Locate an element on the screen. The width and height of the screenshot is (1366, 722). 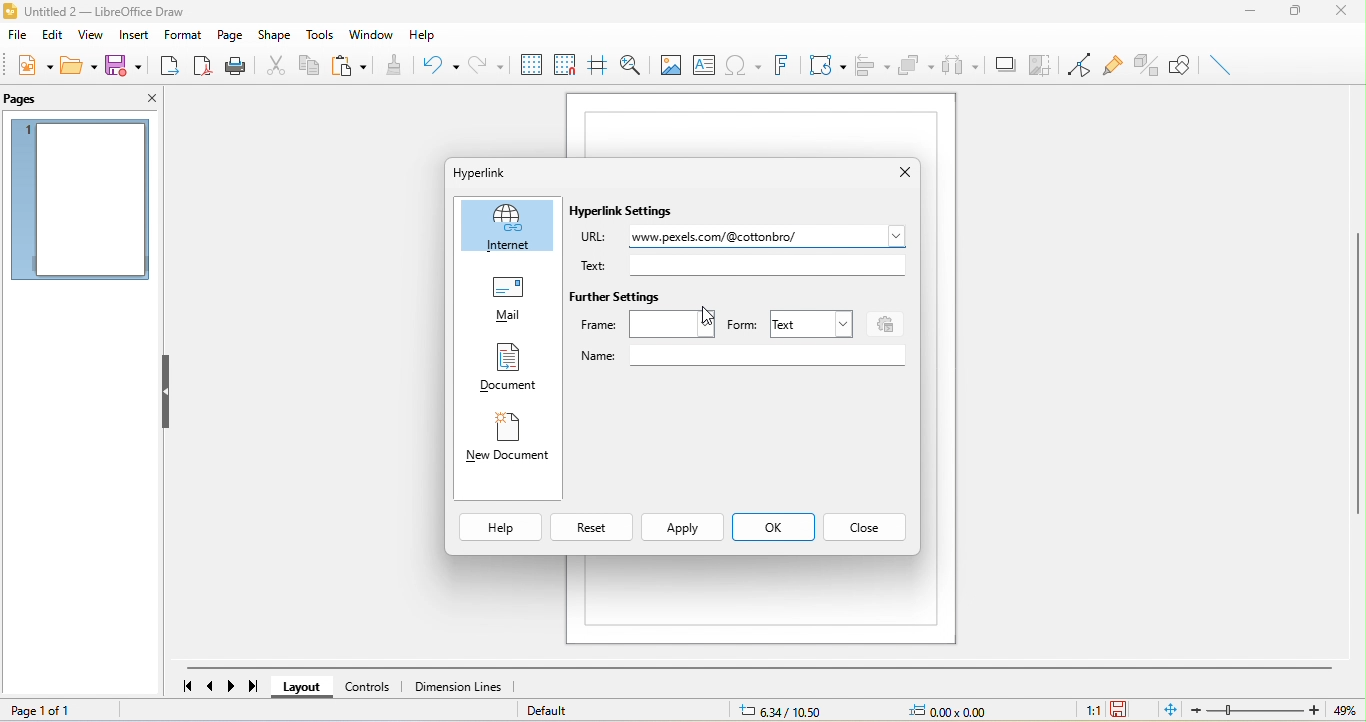
zoom and pan is located at coordinates (631, 62).